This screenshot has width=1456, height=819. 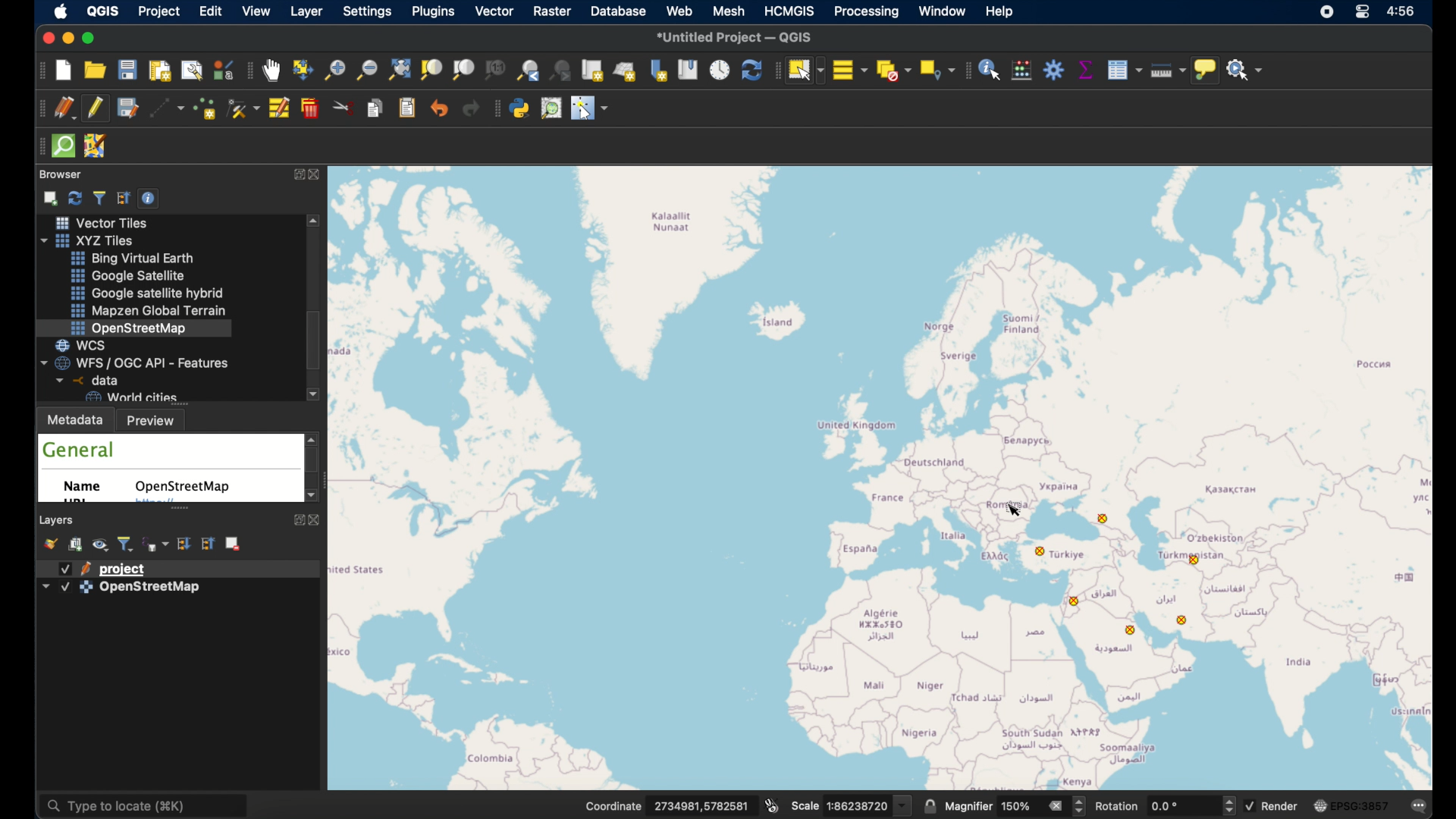 I want to click on preview, so click(x=155, y=420).